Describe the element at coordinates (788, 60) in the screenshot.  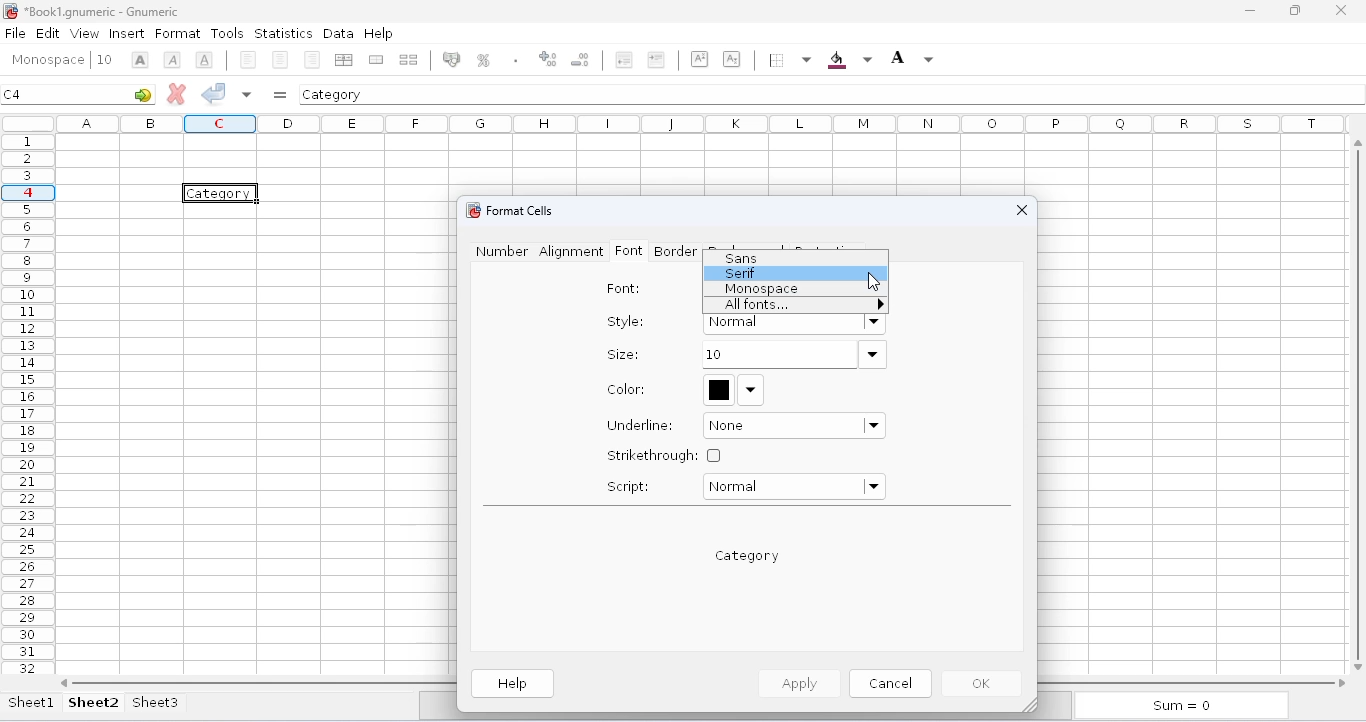
I see `borders` at that location.